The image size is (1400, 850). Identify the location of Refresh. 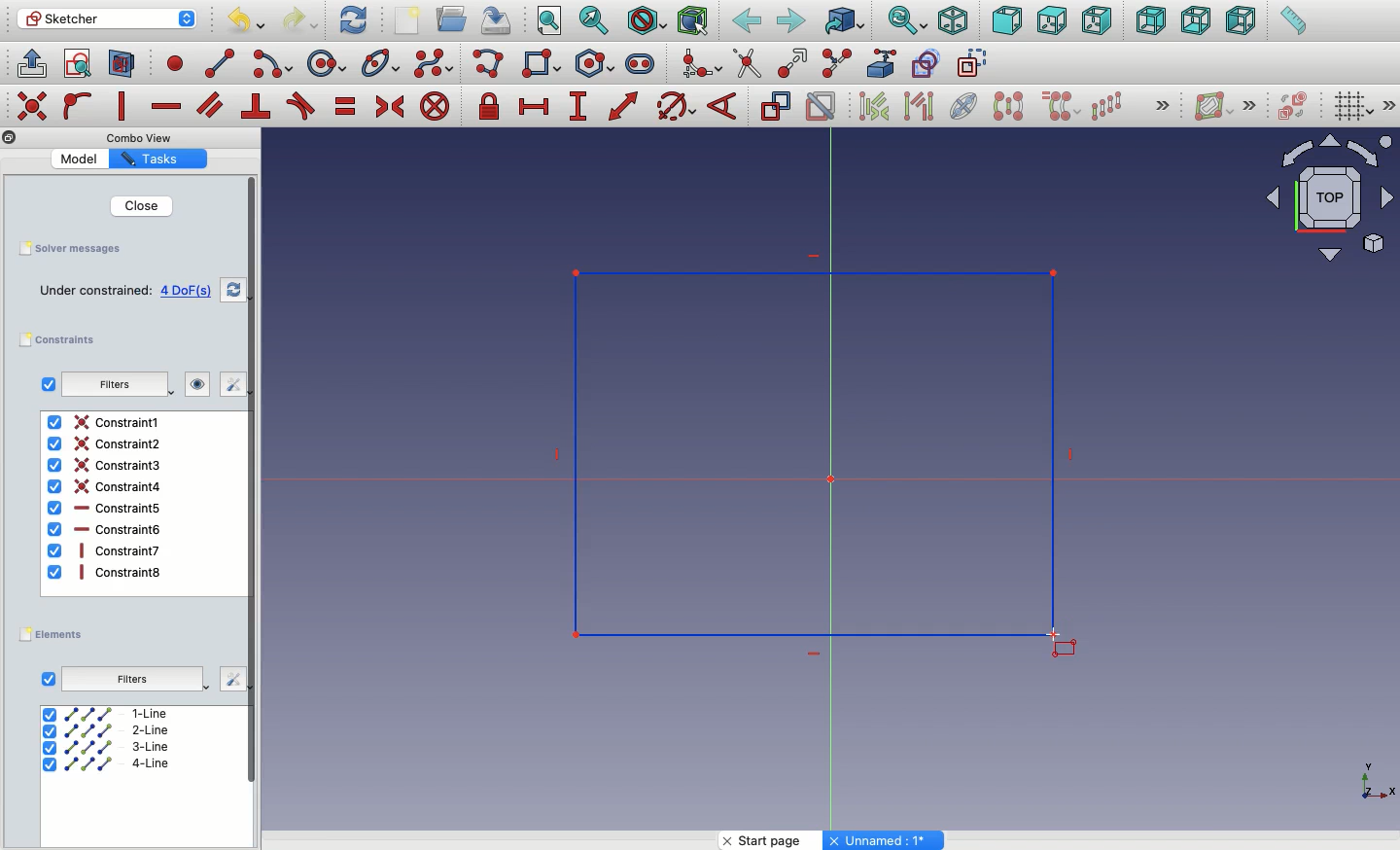
(353, 18).